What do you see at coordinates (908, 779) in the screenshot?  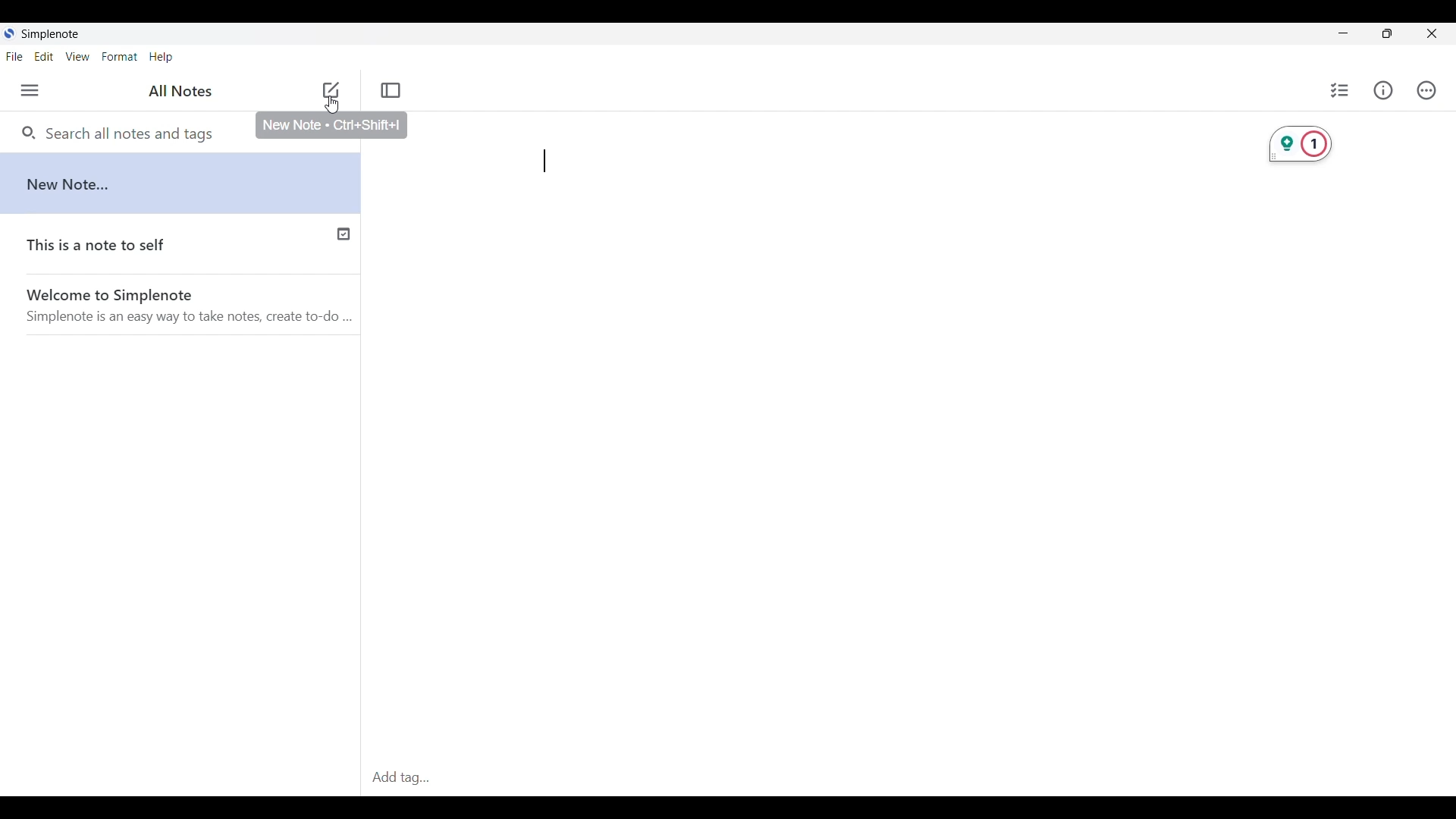 I see `Add tag(Click to type in tag)` at bounding box center [908, 779].